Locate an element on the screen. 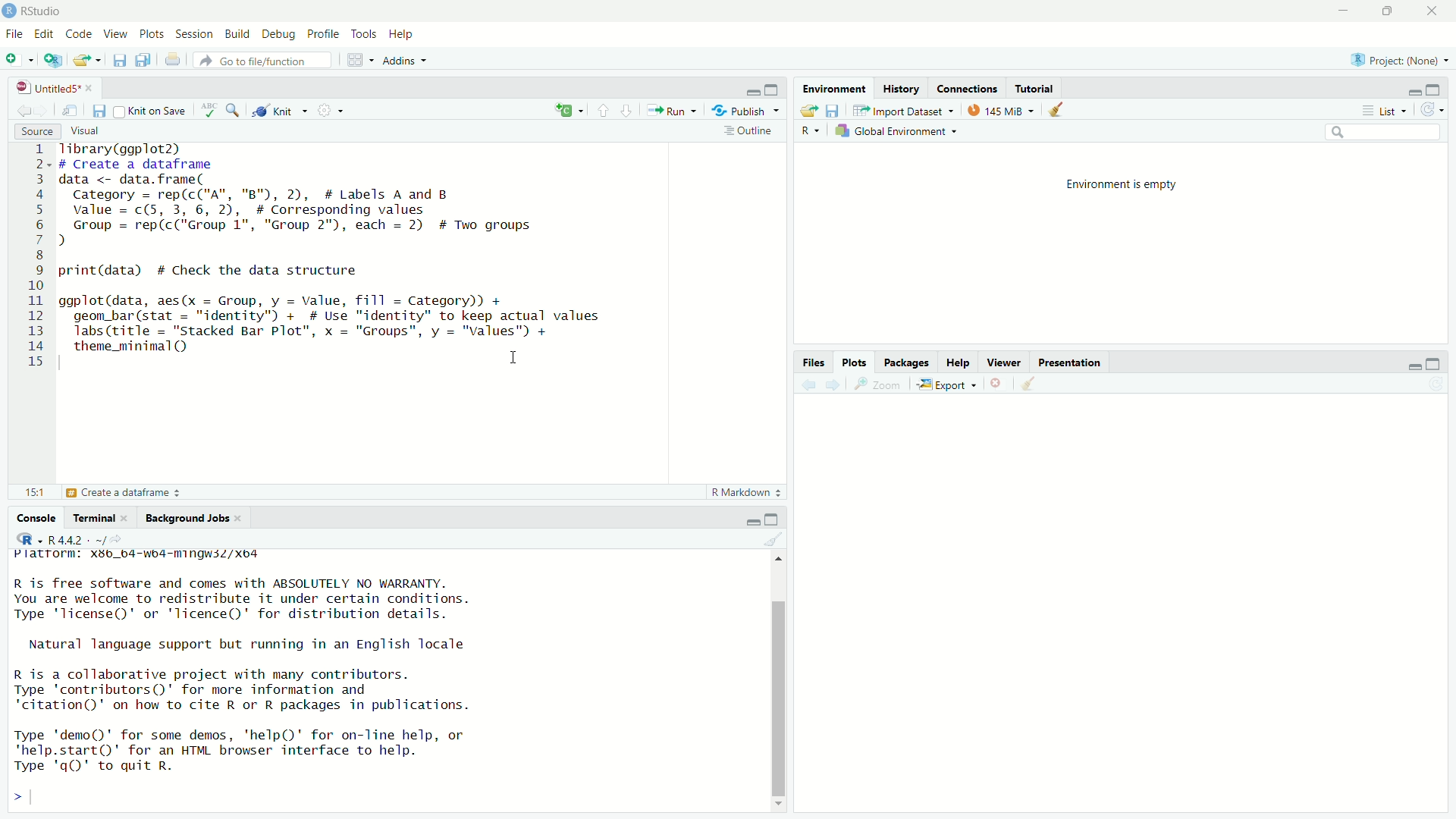  Clear console (Ctrl + L) is located at coordinates (1057, 108).